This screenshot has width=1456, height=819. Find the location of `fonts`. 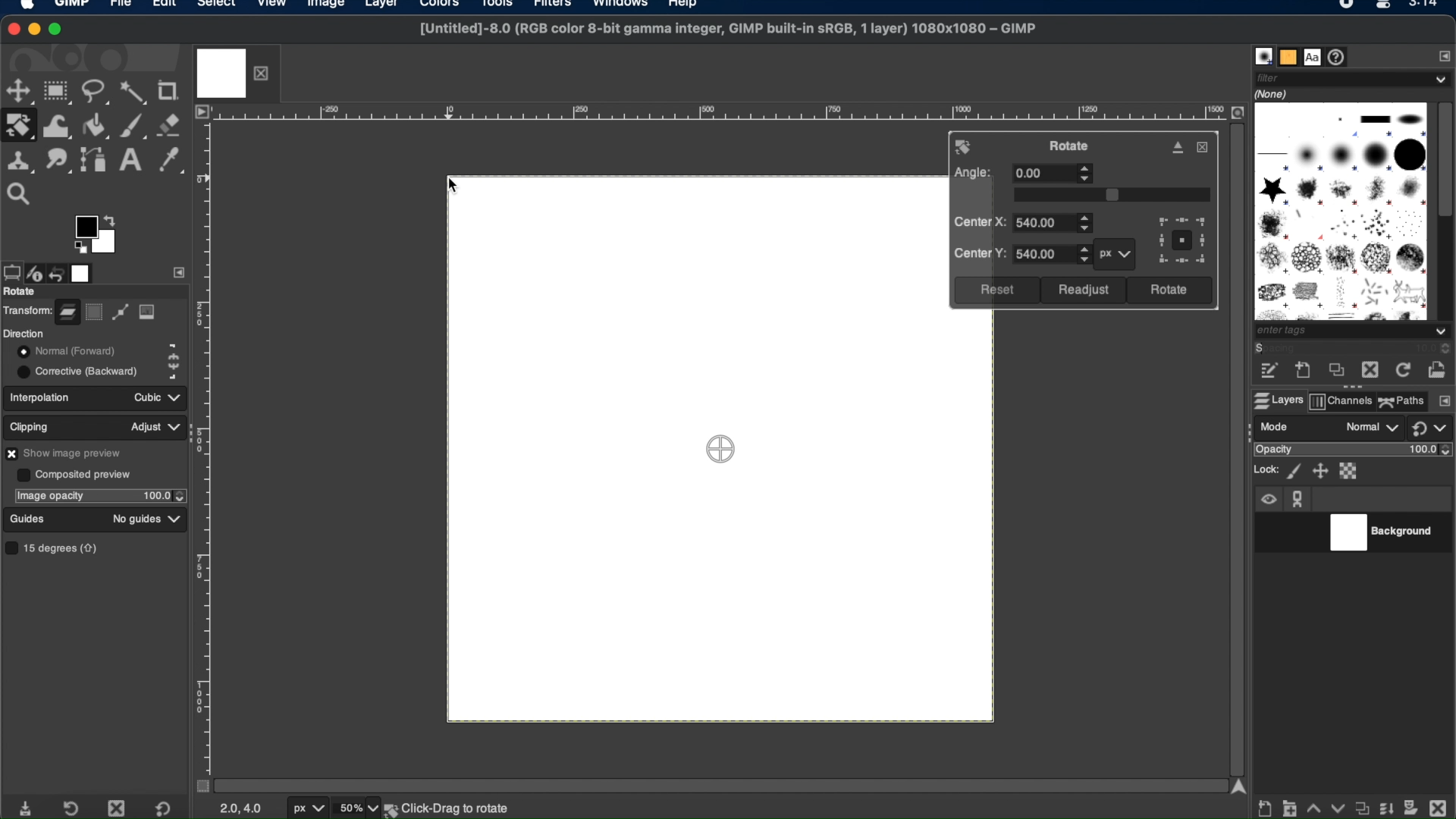

fonts is located at coordinates (1313, 56).